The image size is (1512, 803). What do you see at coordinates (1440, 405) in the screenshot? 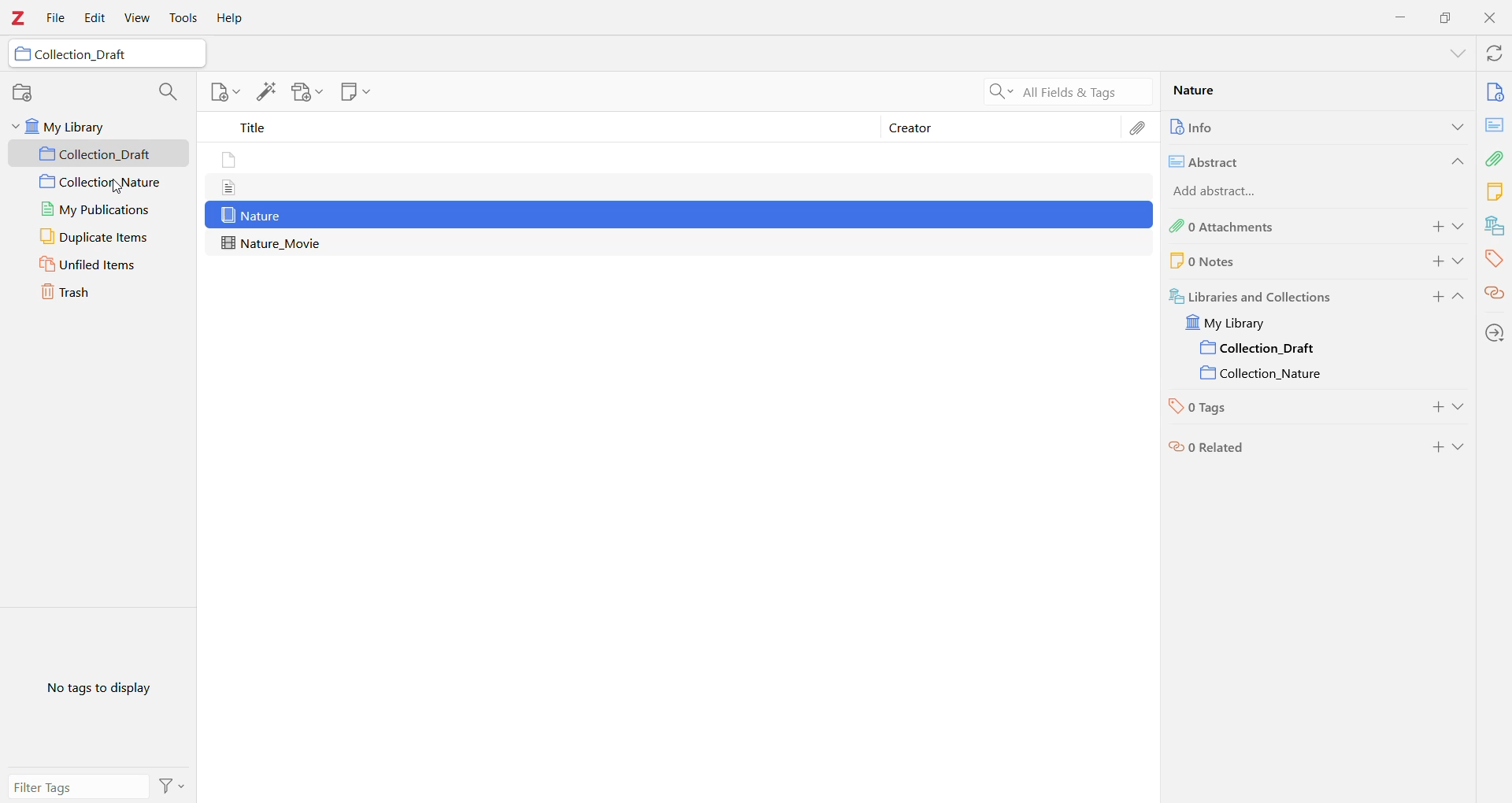
I see `Add` at bounding box center [1440, 405].